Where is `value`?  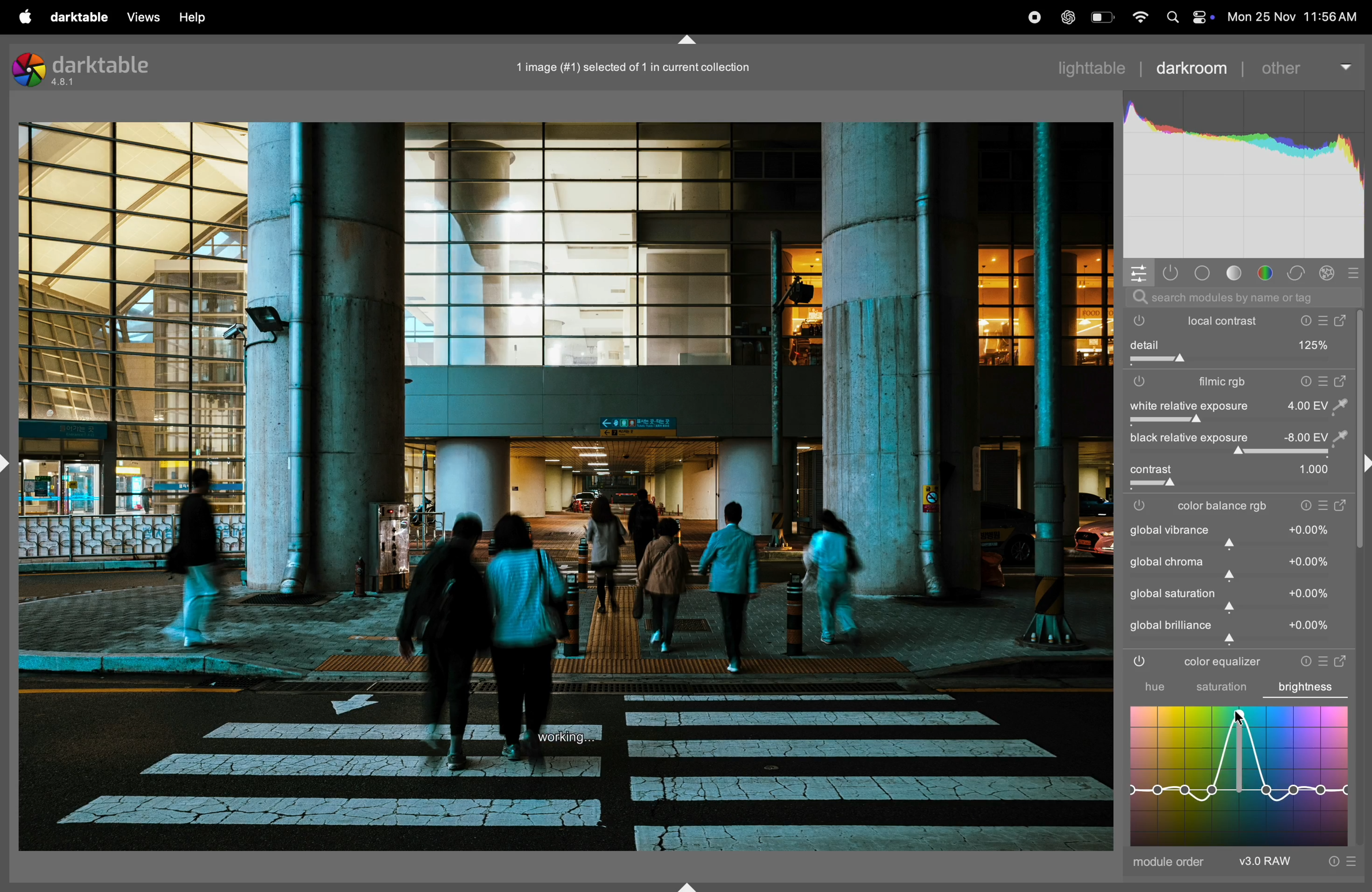
value is located at coordinates (1316, 437).